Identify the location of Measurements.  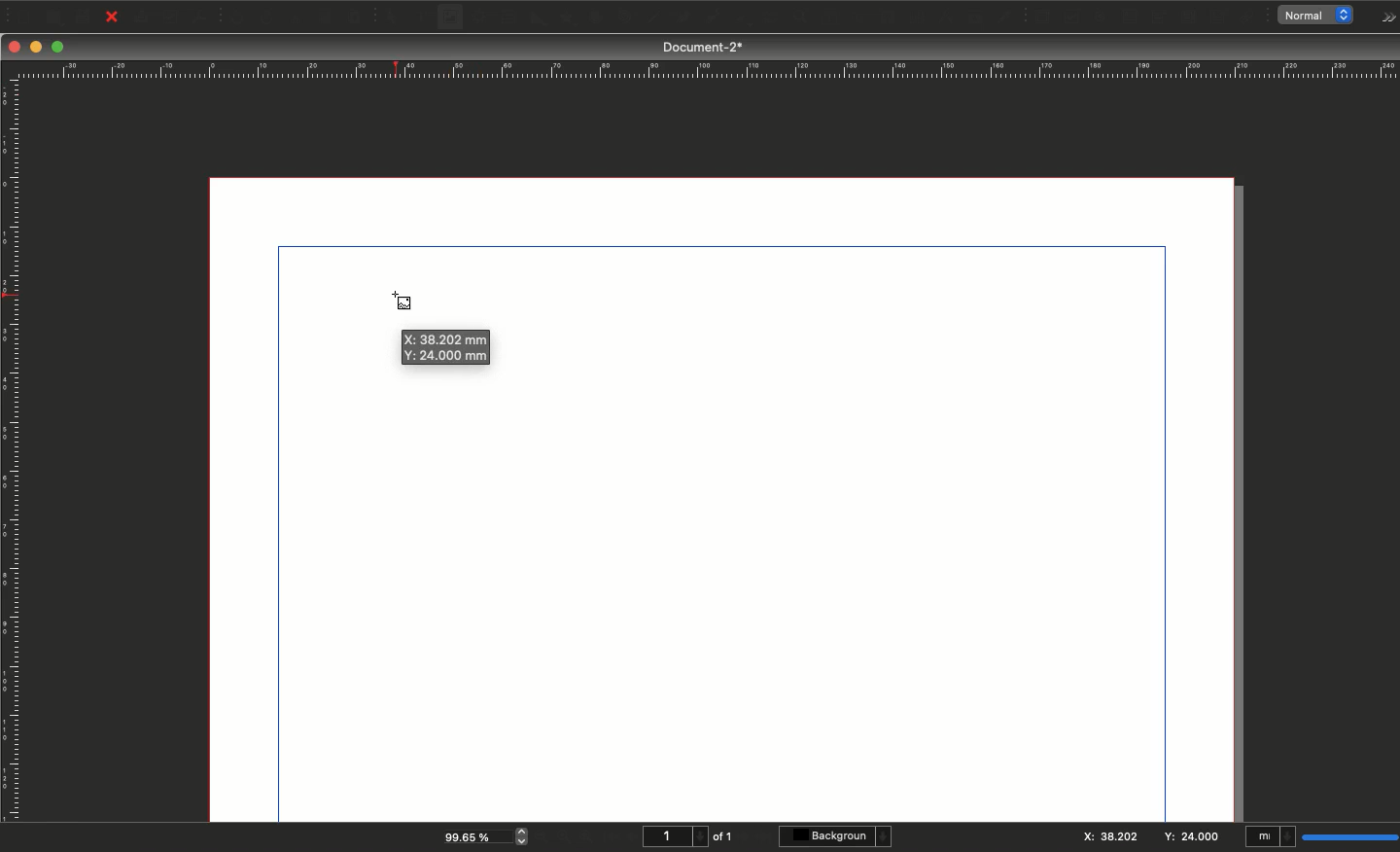
(941, 18).